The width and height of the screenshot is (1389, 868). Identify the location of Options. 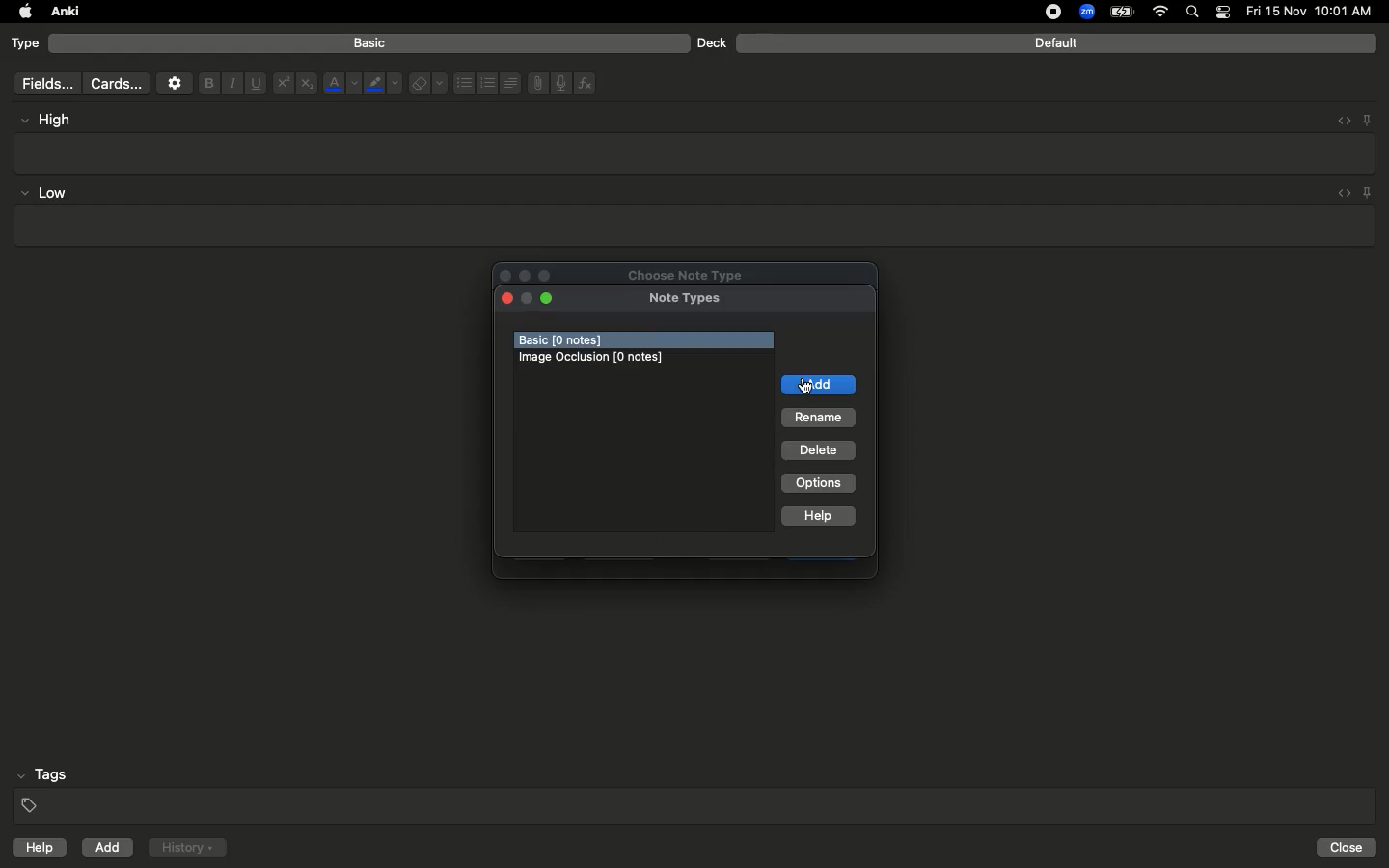
(820, 483).